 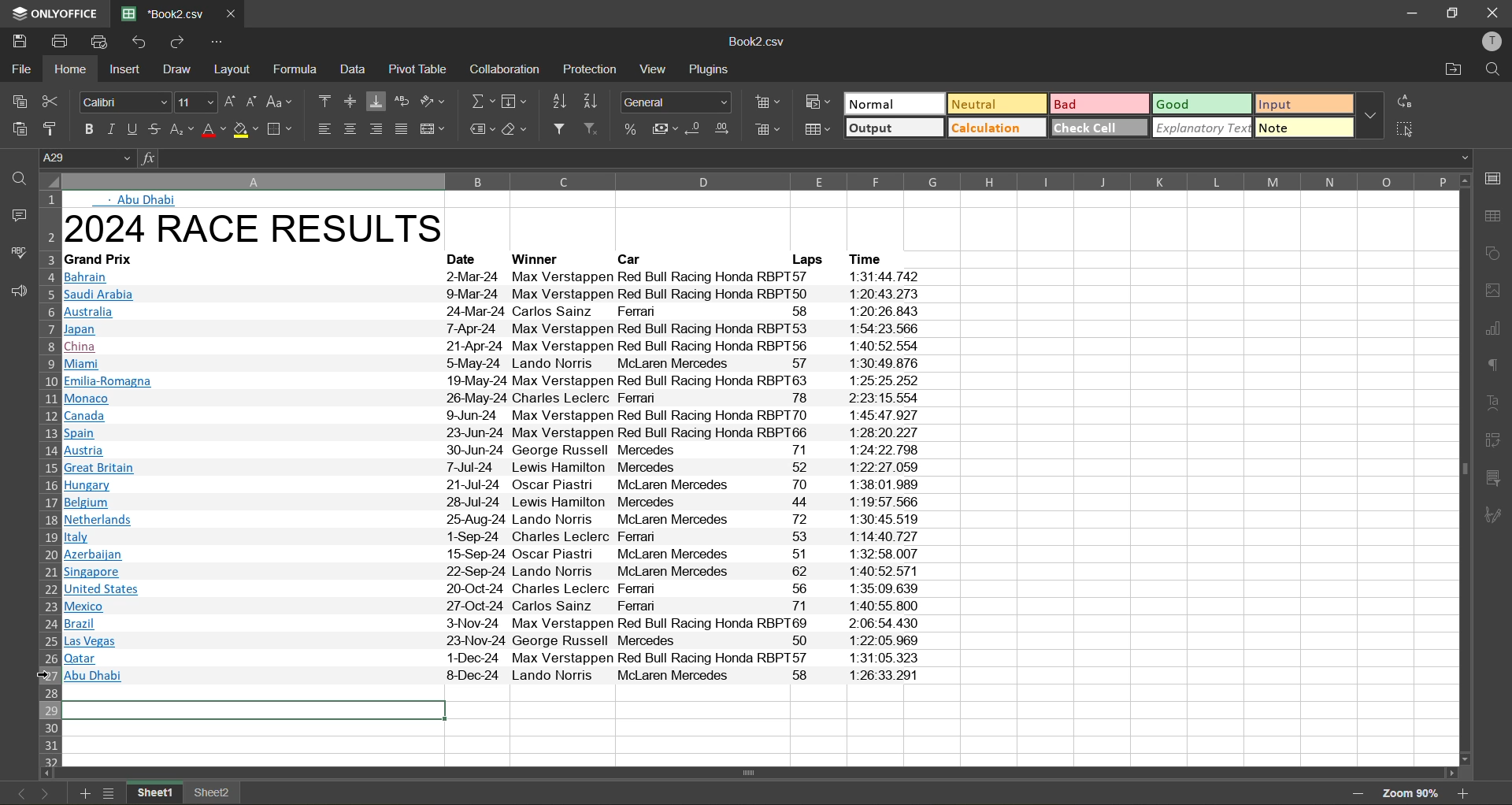 I want to click on paste, so click(x=19, y=128).